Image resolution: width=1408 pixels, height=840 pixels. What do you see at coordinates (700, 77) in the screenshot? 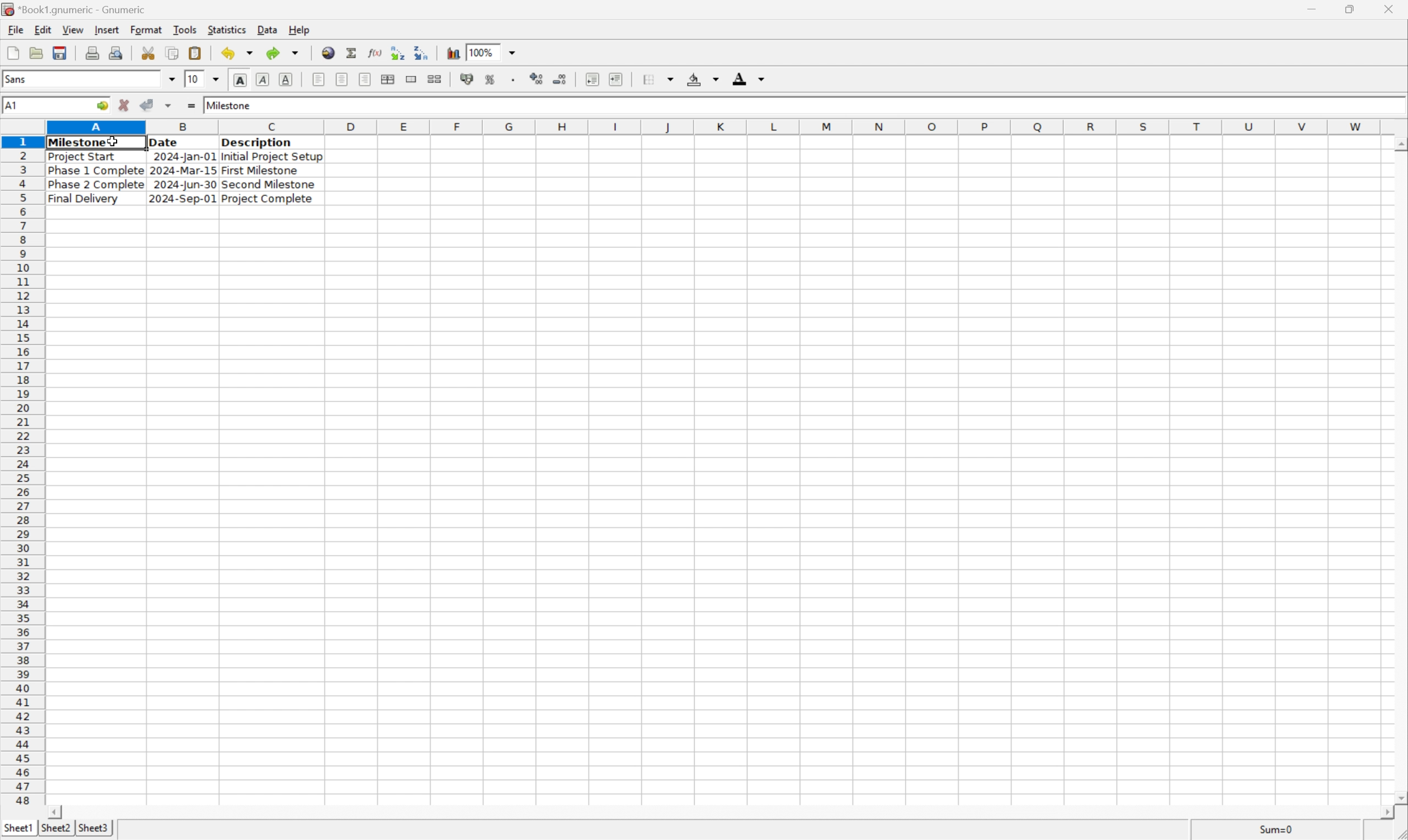
I see `highlight color` at bounding box center [700, 77].